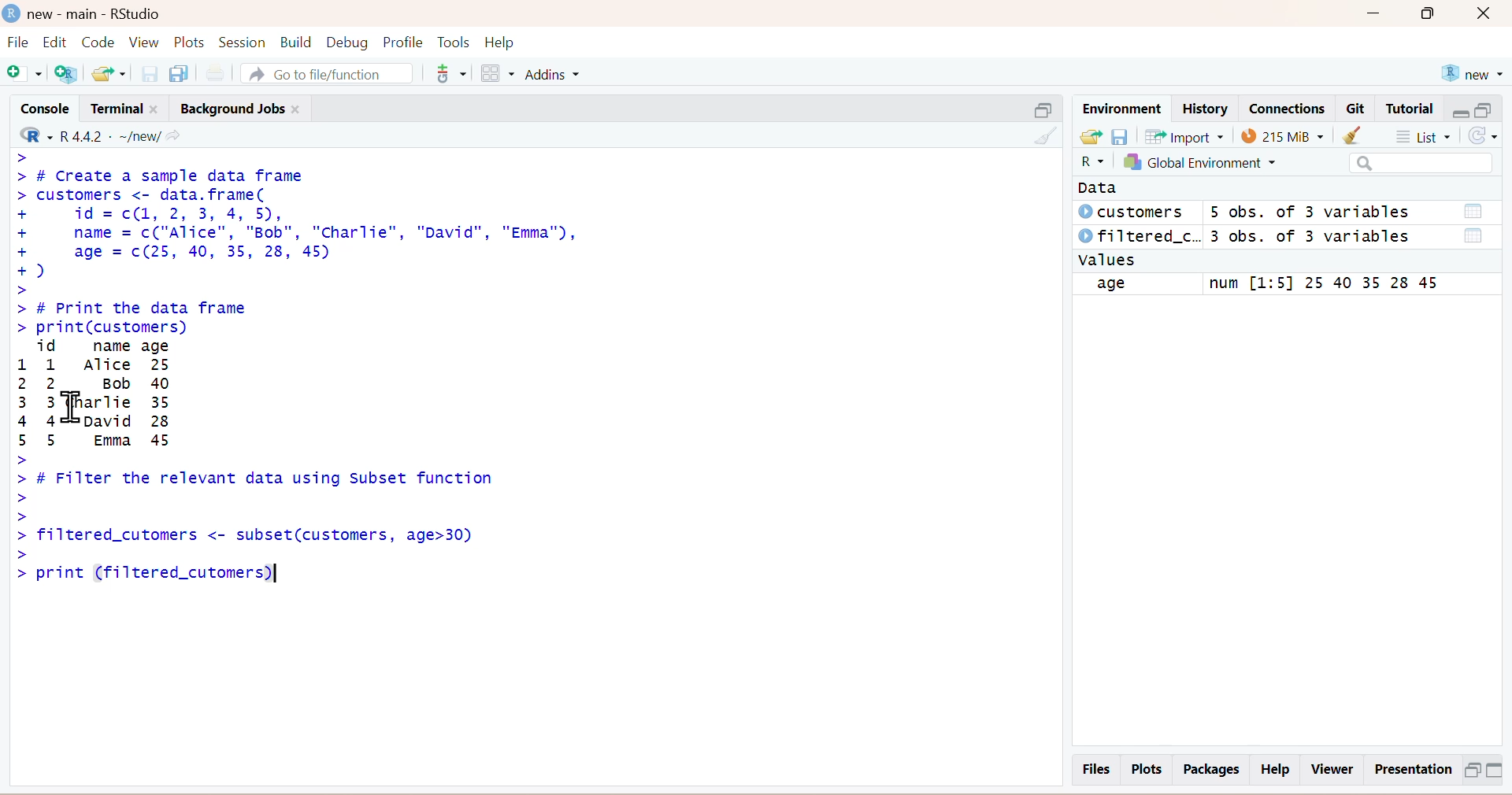  What do you see at coordinates (450, 71) in the screenshot?
I see `Version Control` at bounding box center [450, 71].